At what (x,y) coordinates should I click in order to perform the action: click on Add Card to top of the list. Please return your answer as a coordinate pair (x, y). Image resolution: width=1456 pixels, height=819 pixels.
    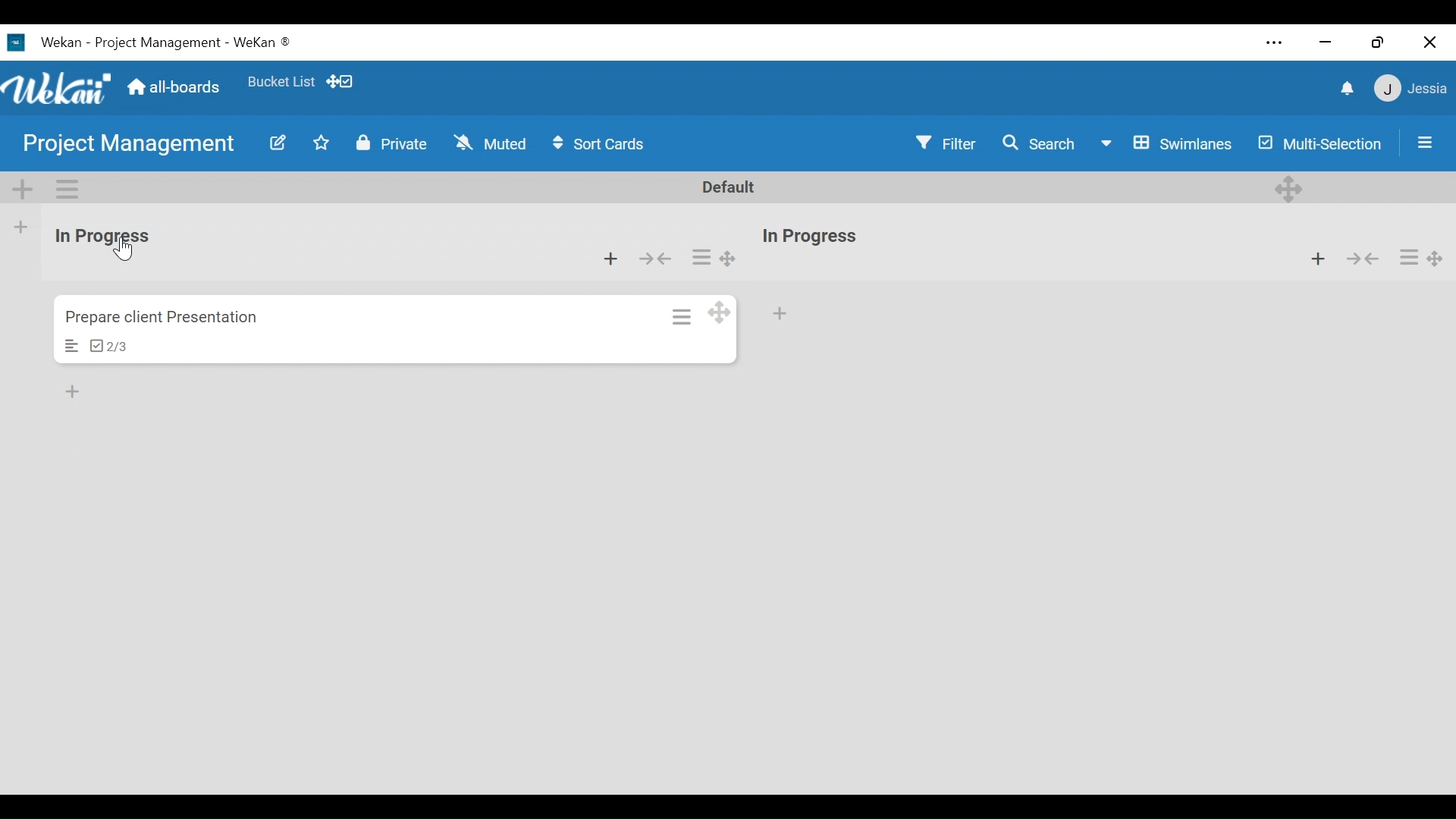
    Looking at the image, I should click on (612, 260).